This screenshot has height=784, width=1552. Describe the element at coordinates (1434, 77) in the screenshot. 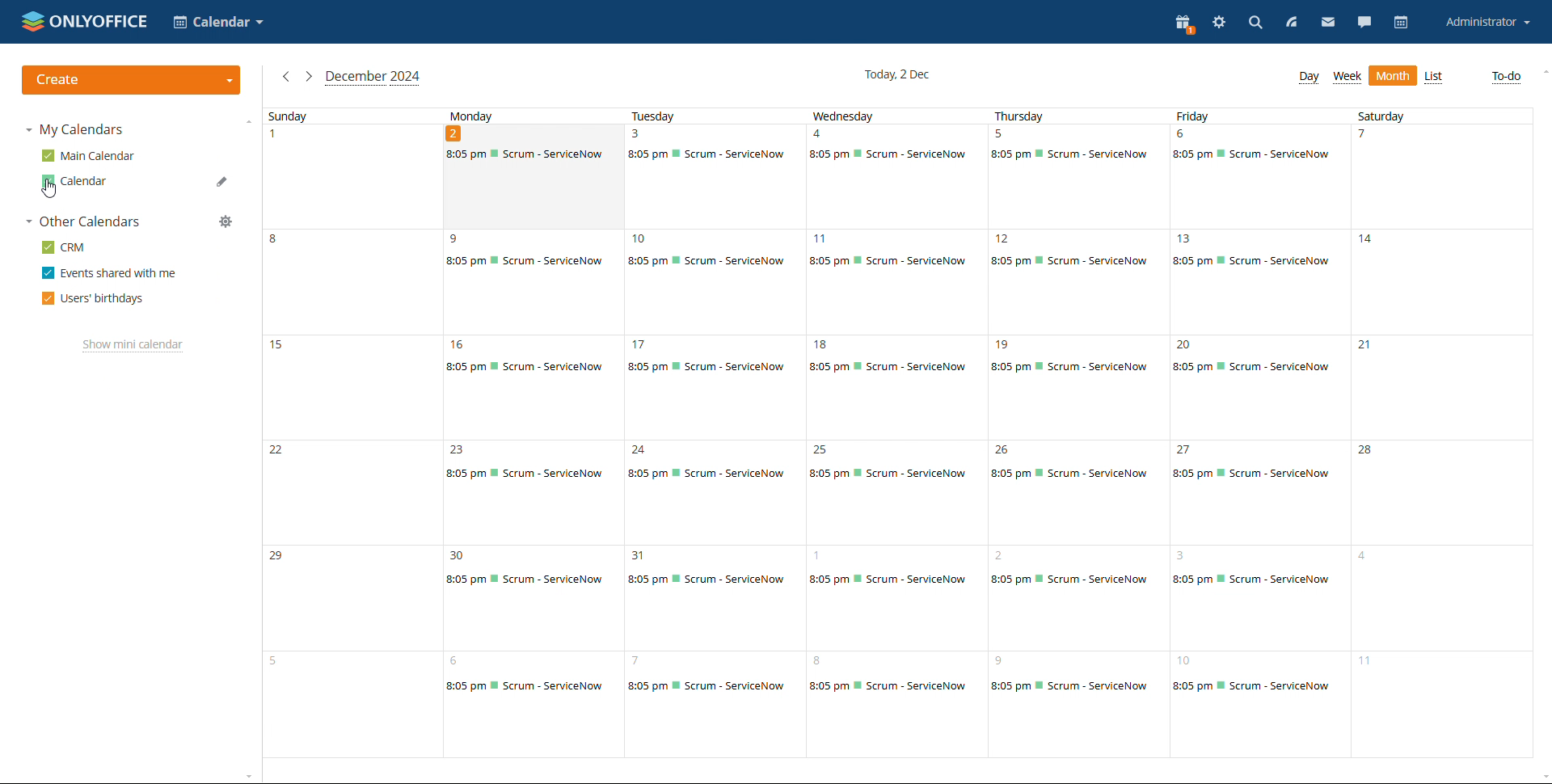

I see `list view` at that location.